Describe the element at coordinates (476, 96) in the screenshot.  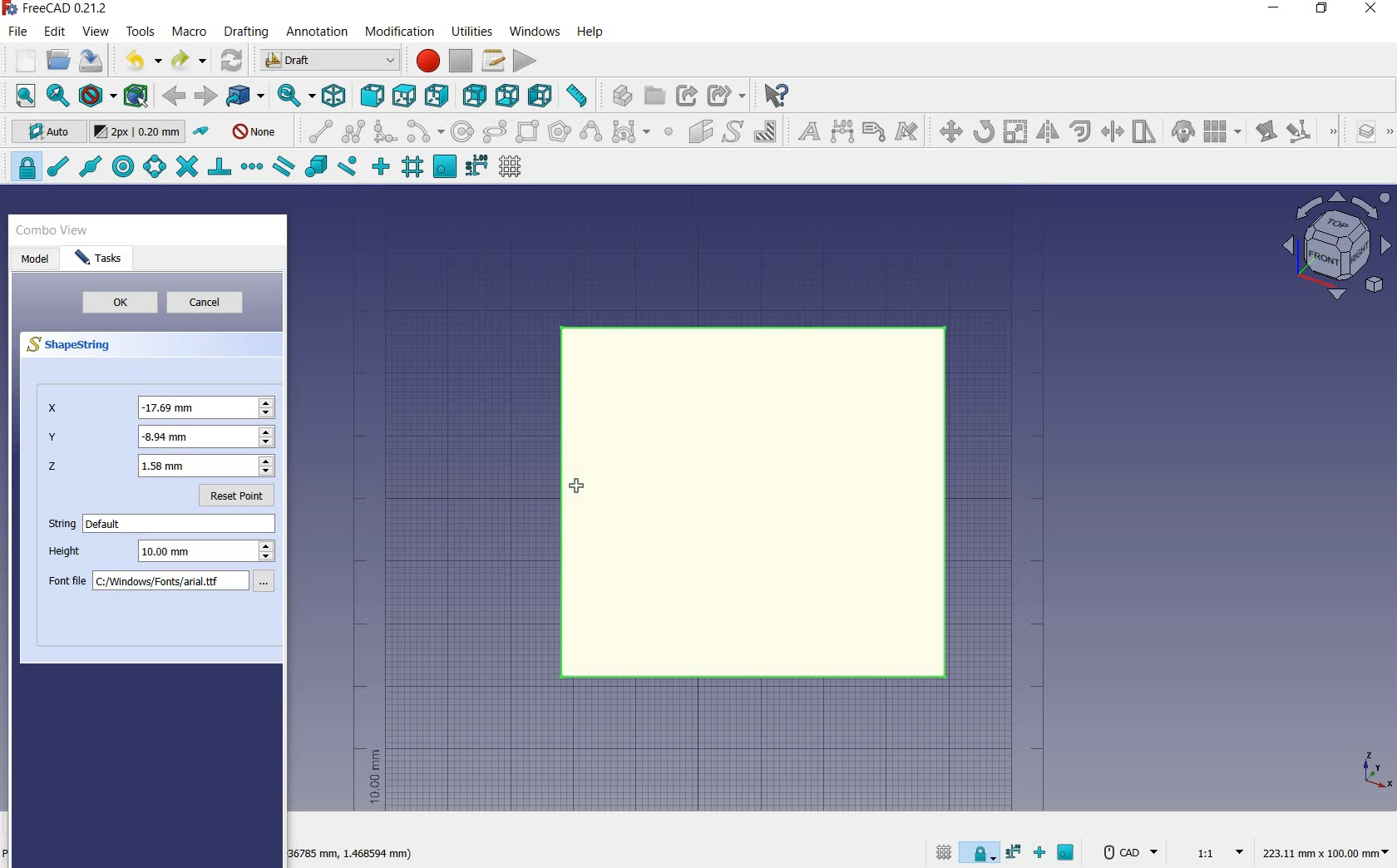
I see `rear` at that location.